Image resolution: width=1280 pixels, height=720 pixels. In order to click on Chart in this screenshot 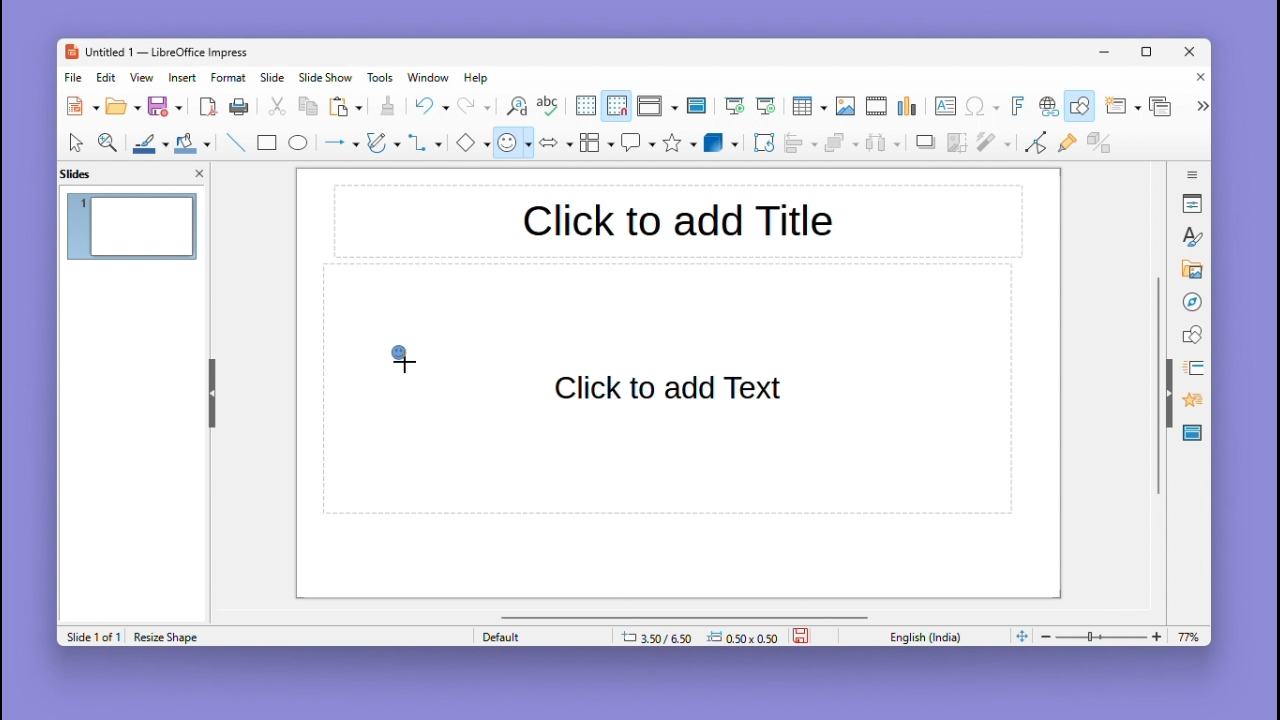, I will do `click(909, 107)`.